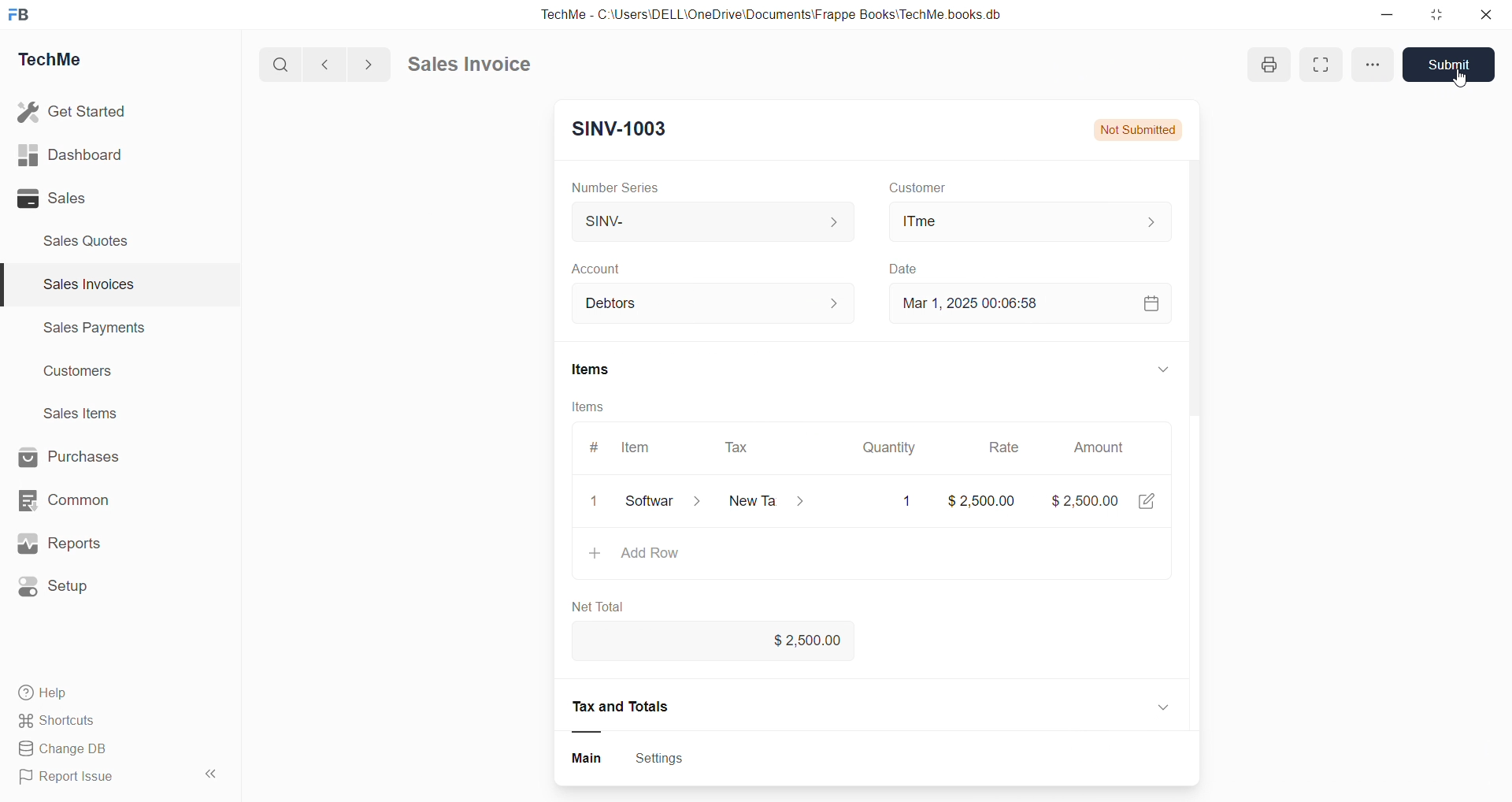 Image resolution: width=1512 pixels, height=802 pixels. Describe the element at coordinates (599, 759) in the screenshot. I see `Main` at that location.